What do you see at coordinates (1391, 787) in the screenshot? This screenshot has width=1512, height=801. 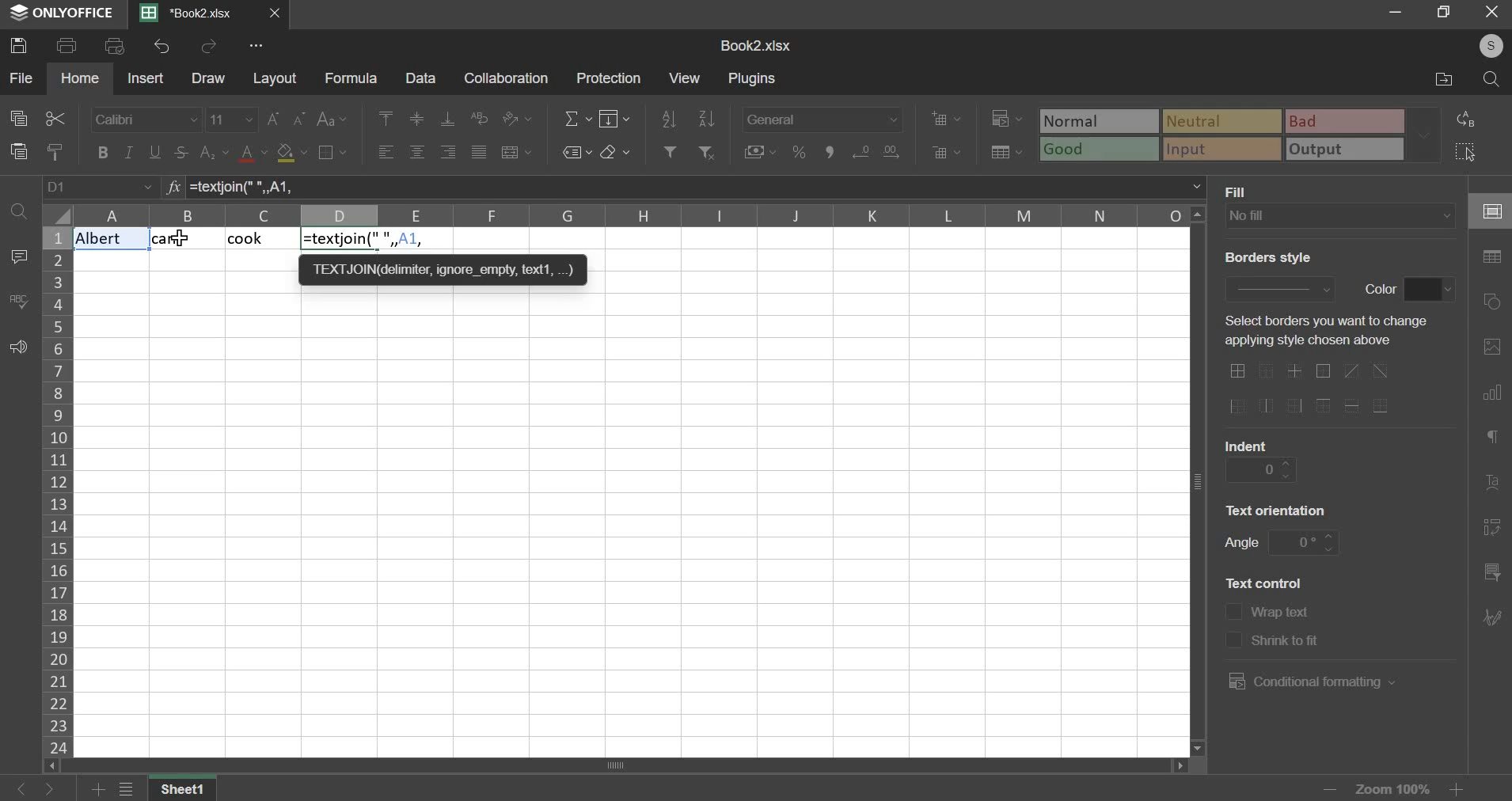 I see `zoom` at bounding box center [1391, 787].